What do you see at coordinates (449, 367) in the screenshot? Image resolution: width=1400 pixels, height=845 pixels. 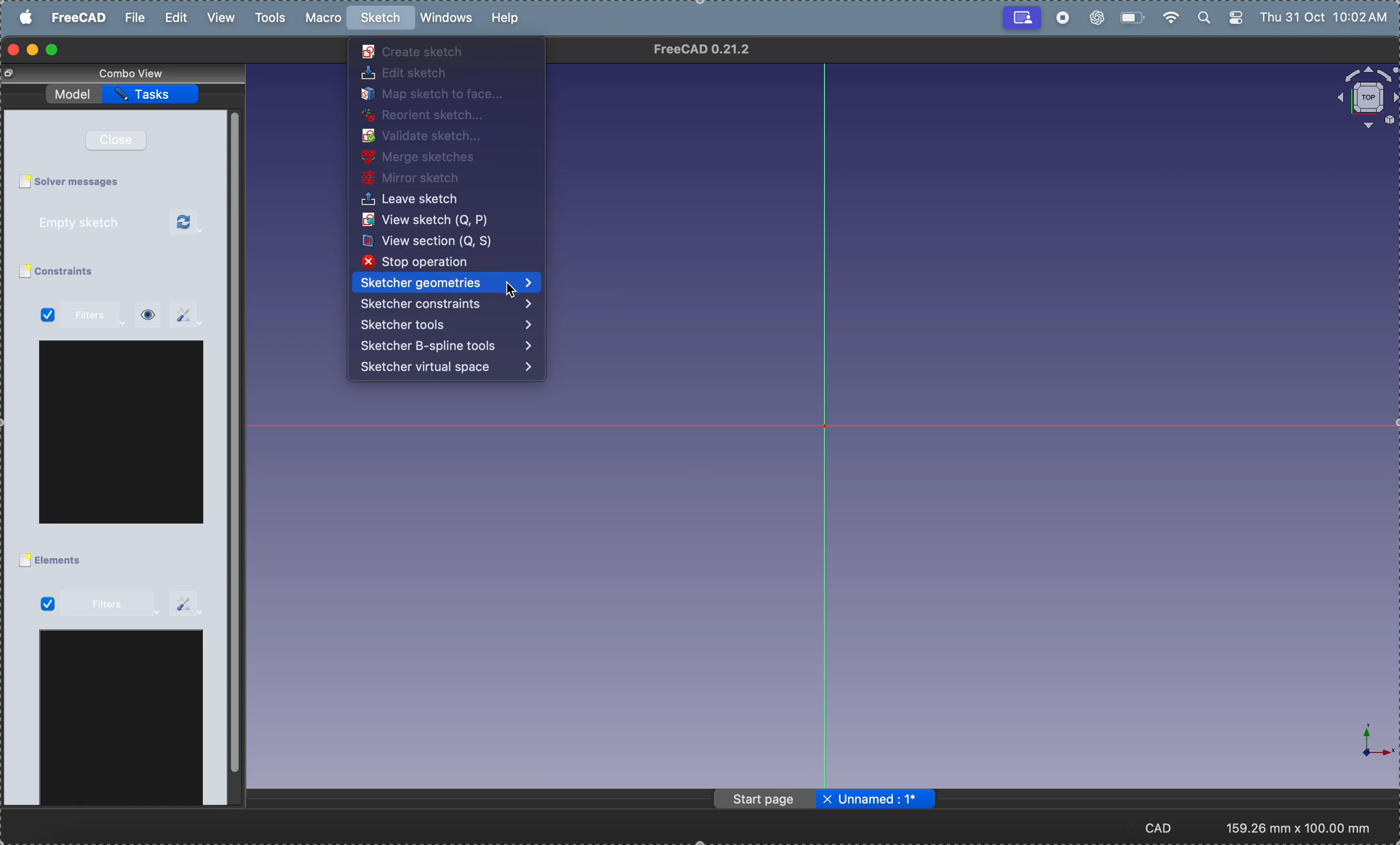 I see `sketcher virtual space` at bounding box center [449, 367].